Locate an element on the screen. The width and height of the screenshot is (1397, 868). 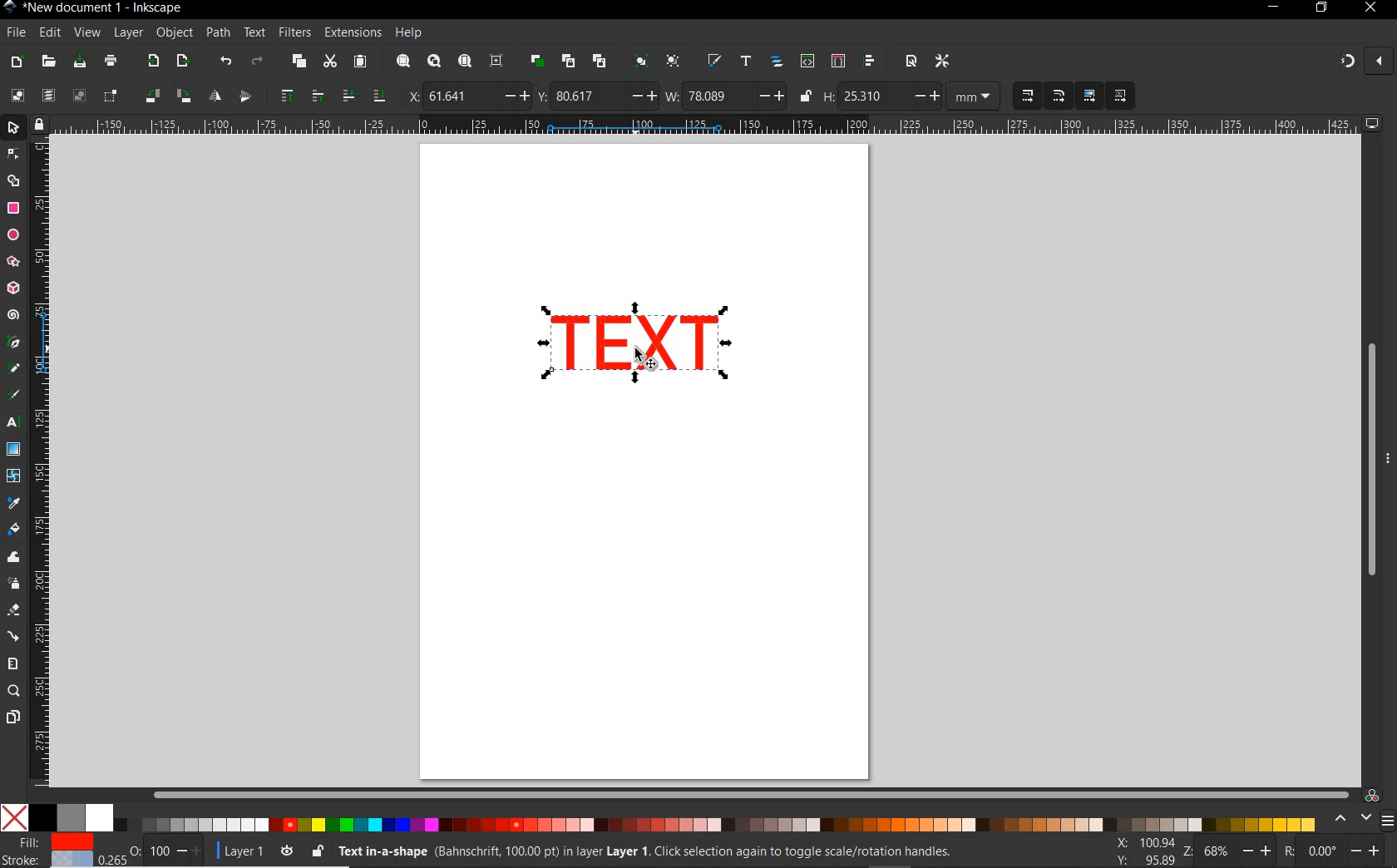
RESTORE DOWN is located at coordinates (1320, 8).